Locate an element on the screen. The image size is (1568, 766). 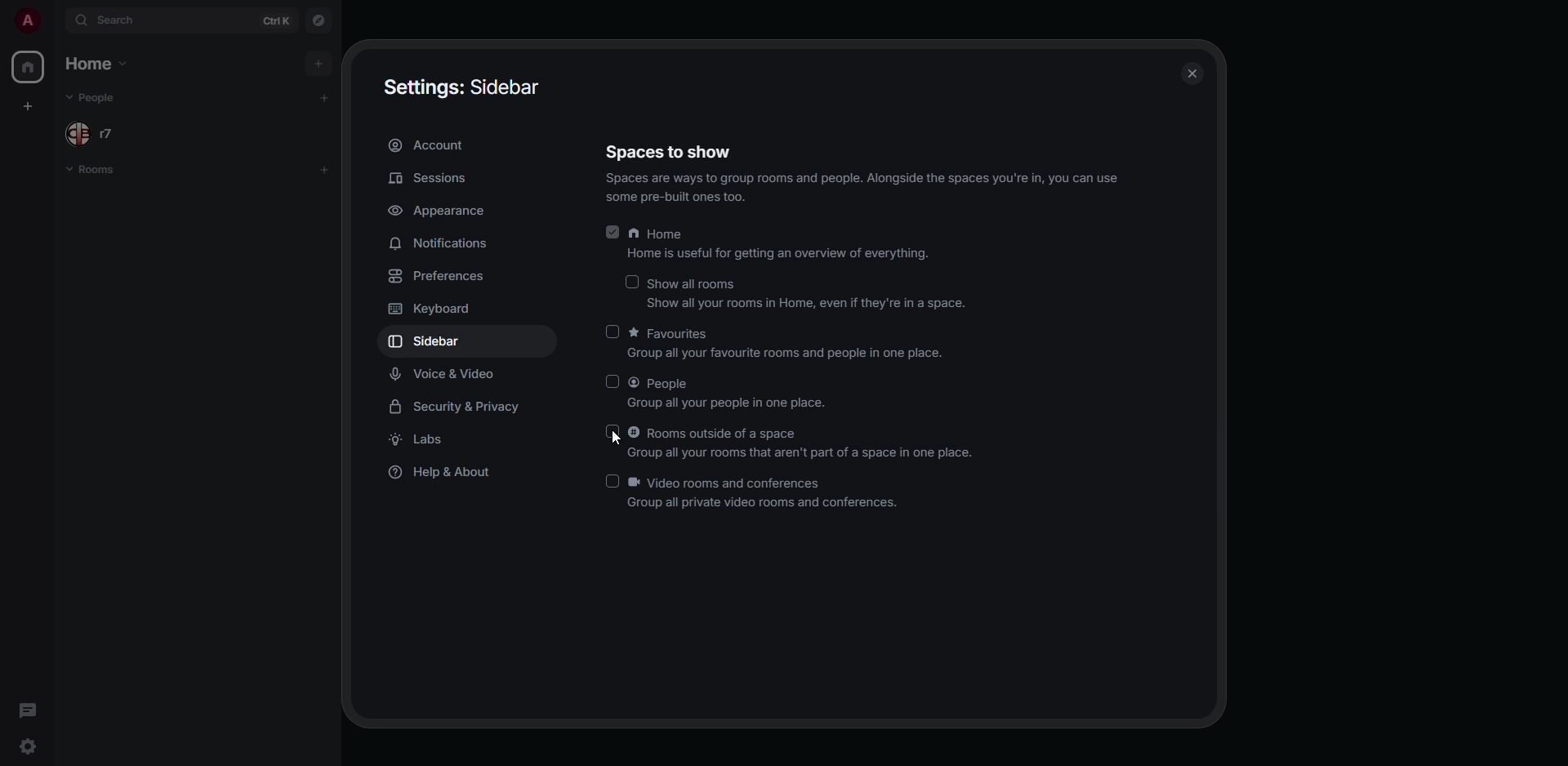
click to enable is located at coordinates (612, 430).